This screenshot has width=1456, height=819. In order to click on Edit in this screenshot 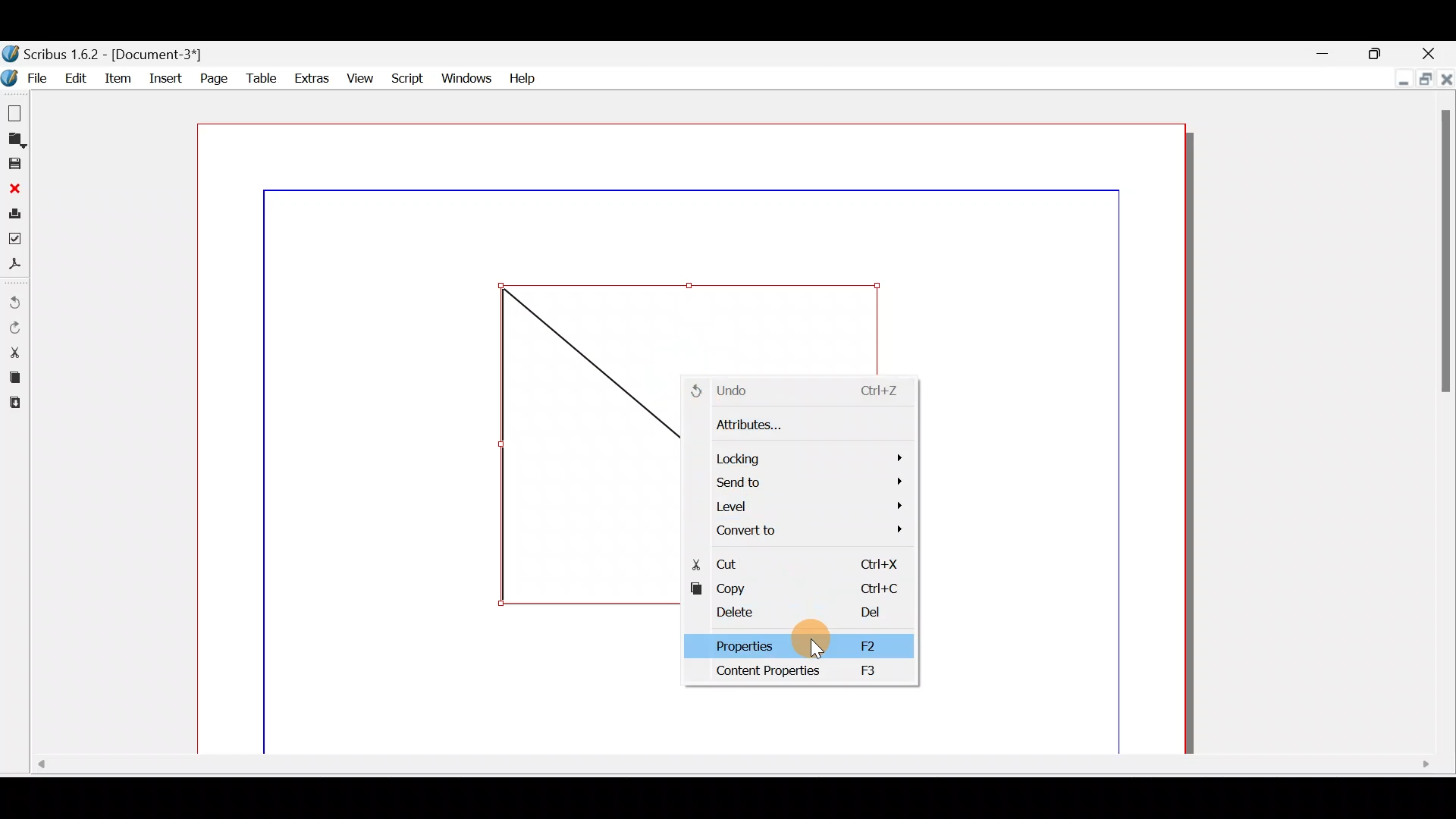, I will do `click(74, 77)`.